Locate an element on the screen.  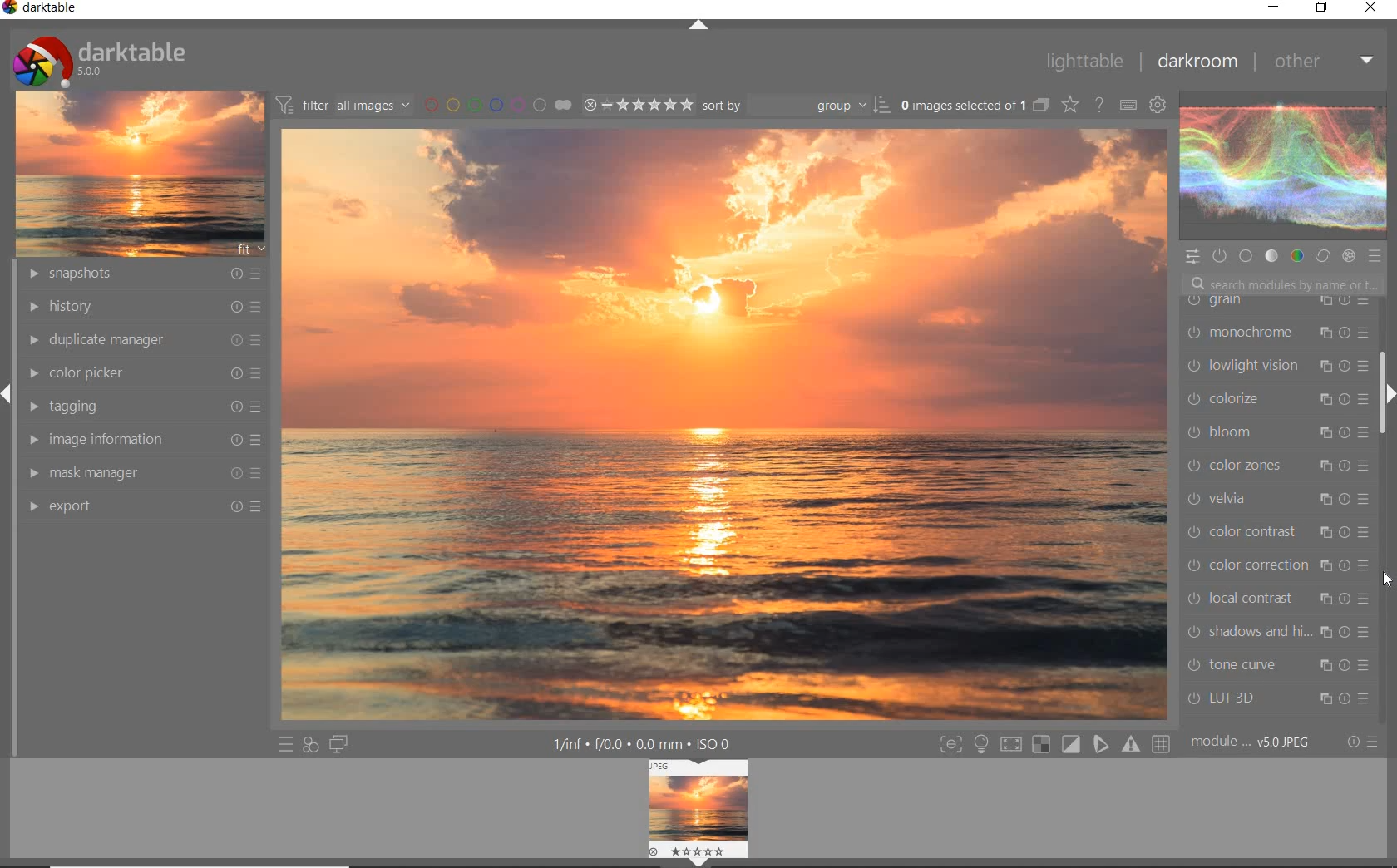
SNAPSHOTS is located at coordinates (143, 274).